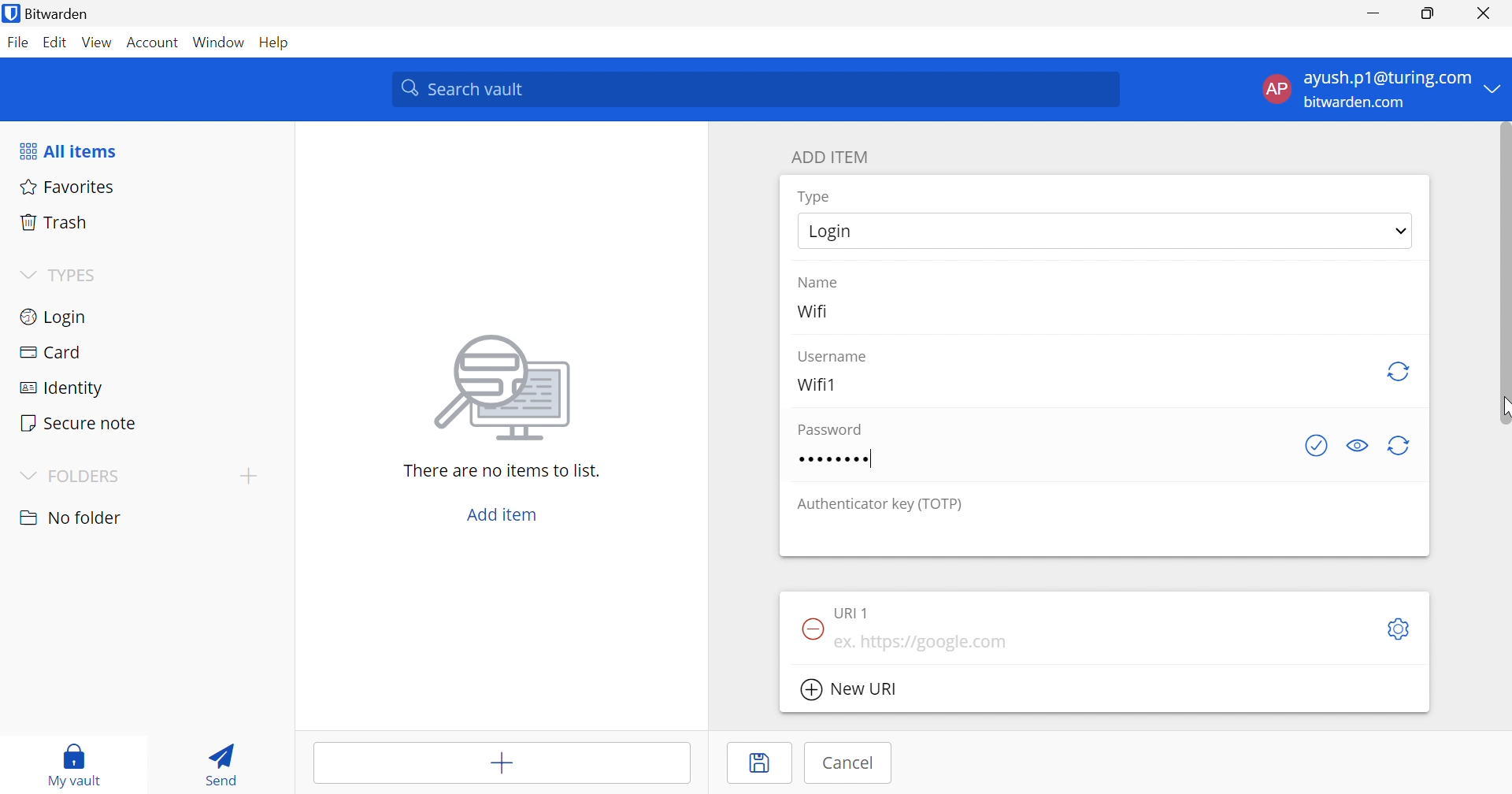  Describe the element at coordinates (1275, 92) in the screenshot. I see `AP` at that location.